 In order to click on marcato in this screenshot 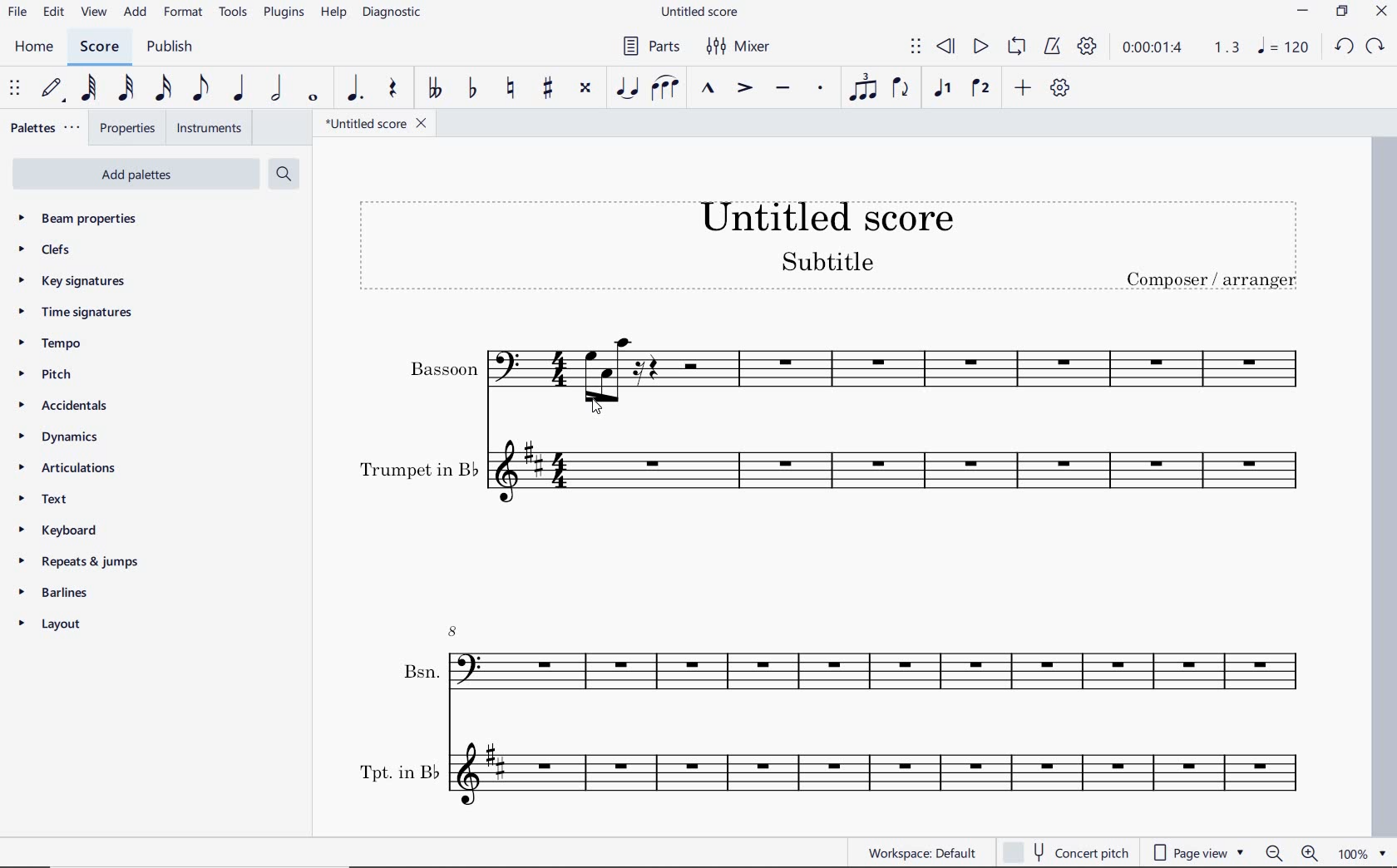, I will do `click(710, 89)`.